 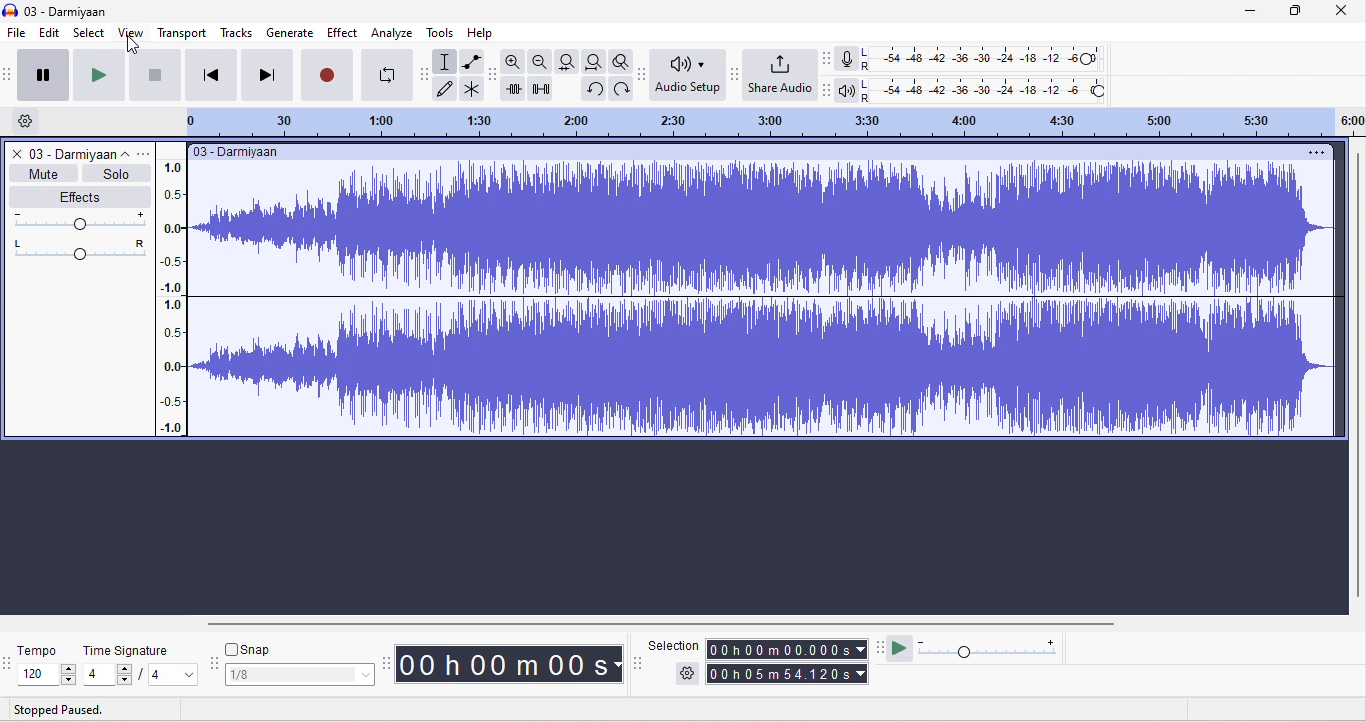 What do you see at coordinates (674, 644) in the screenshot?
I see `selection` at bounding box center [674, 644].